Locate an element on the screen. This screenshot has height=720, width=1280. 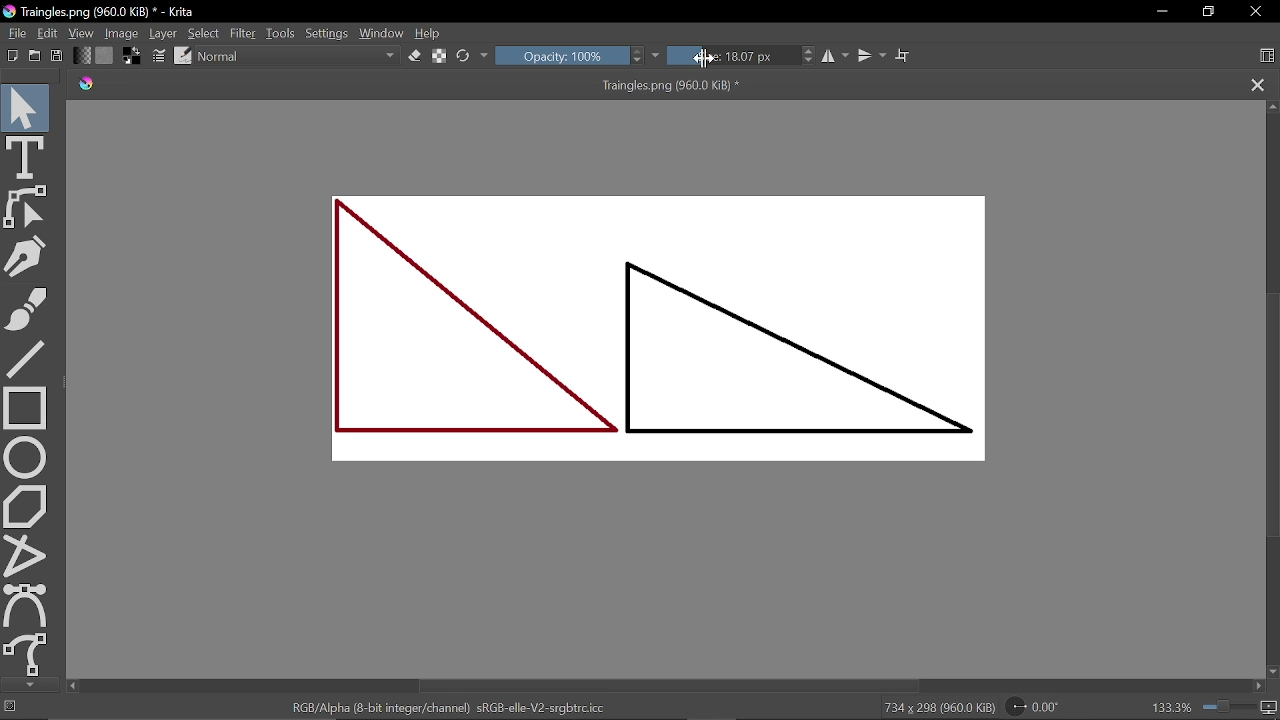
Choose brush preset is located at coordinates (183, 56).